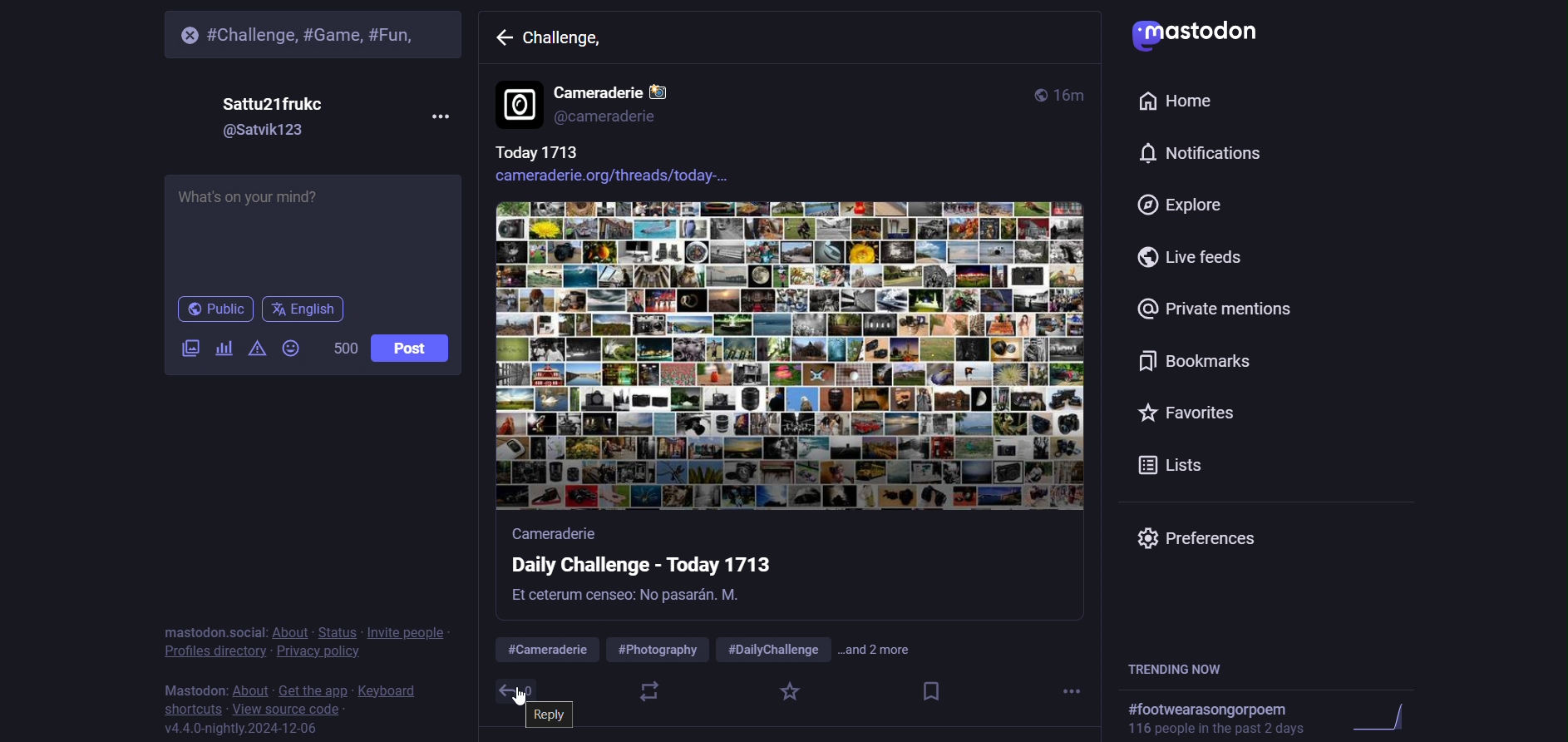 The width and height of the screenshot is (1568, 742). I want to click on image/video, so click(182, 349).